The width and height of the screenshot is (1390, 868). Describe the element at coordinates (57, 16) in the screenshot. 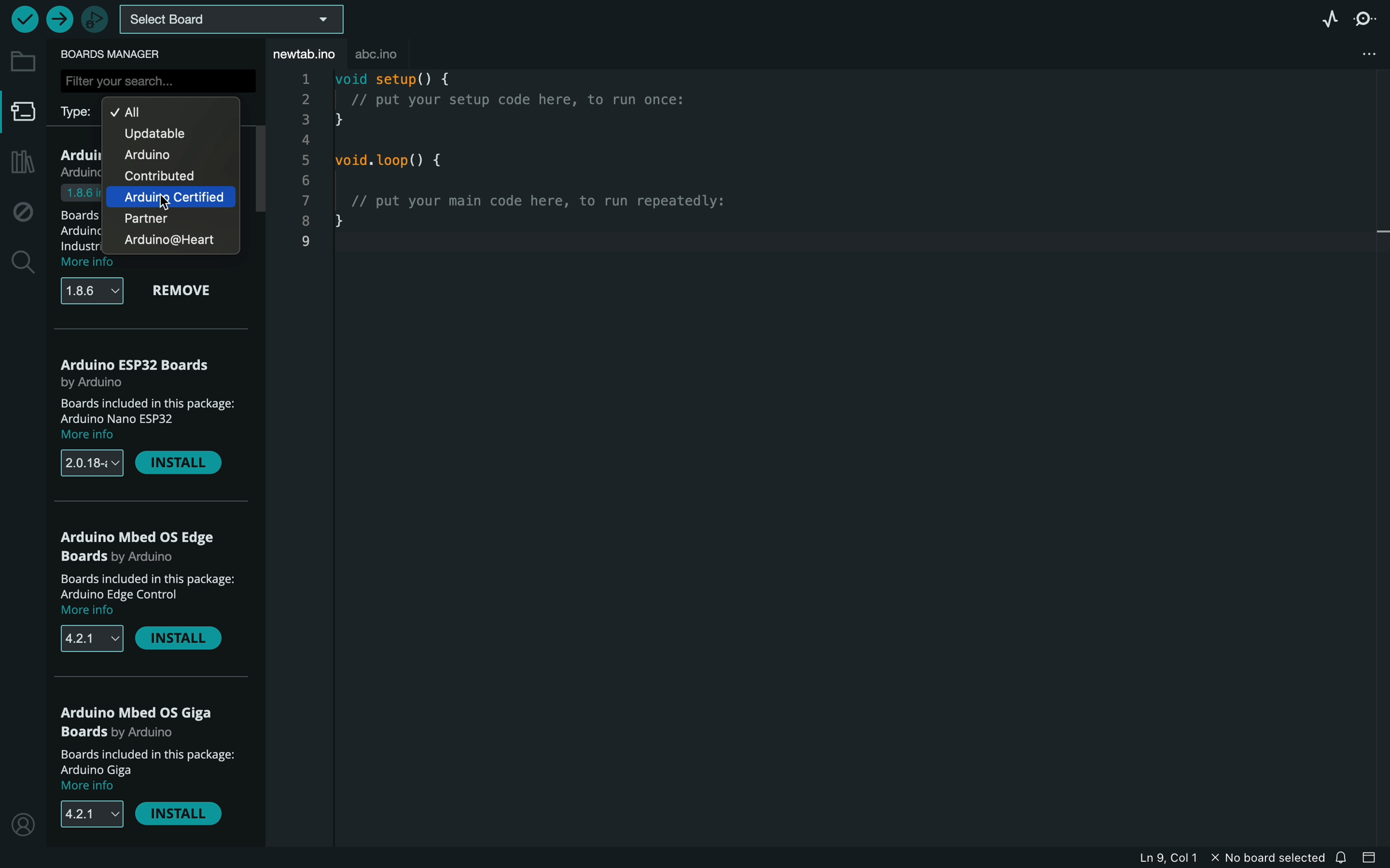

I see `upload` at that location.